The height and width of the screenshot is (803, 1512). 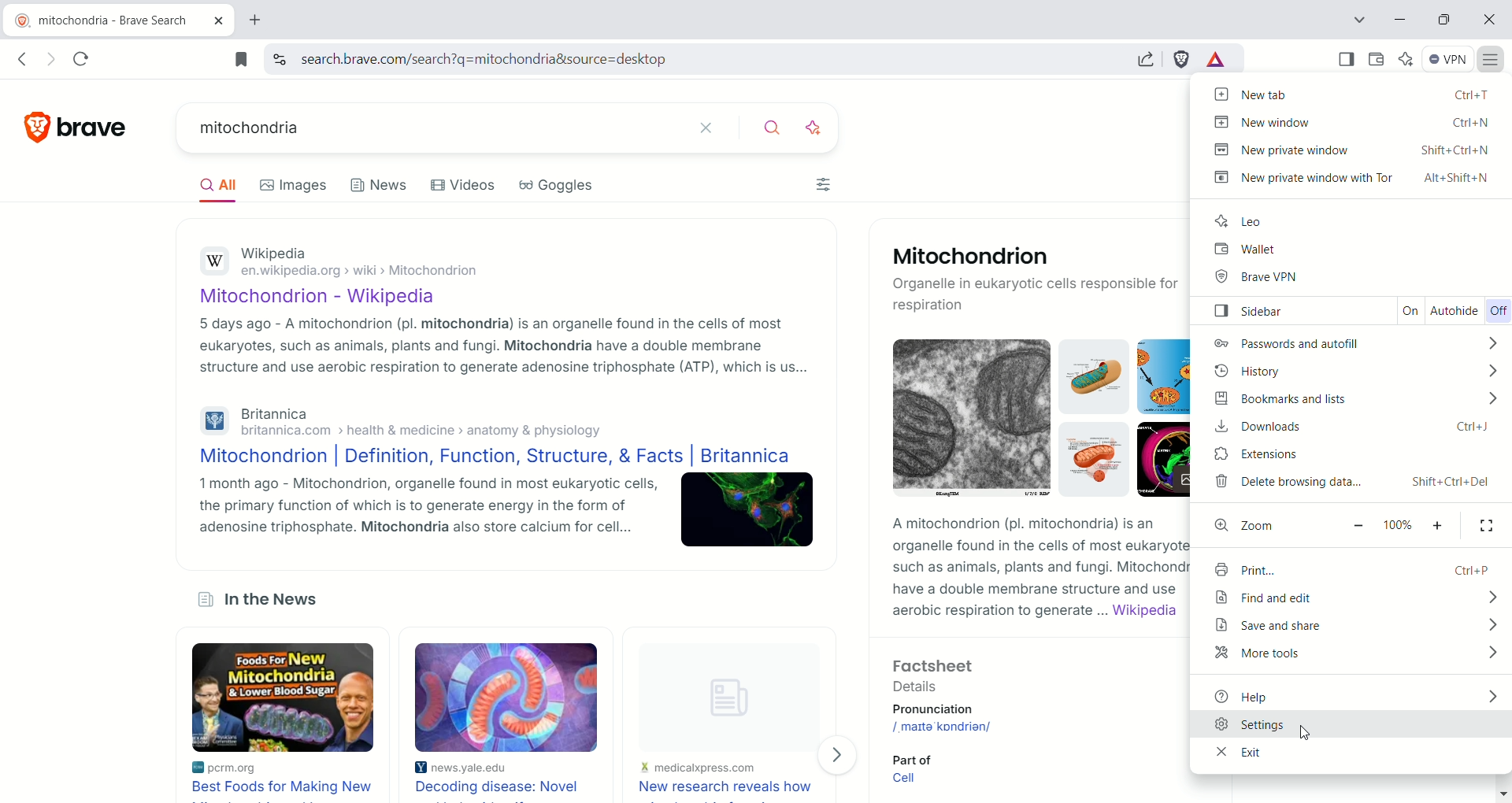 What do you see at coordinates (1490, 527) in the screenshot?
I see `full screen` at bounding box center [1490, 527].